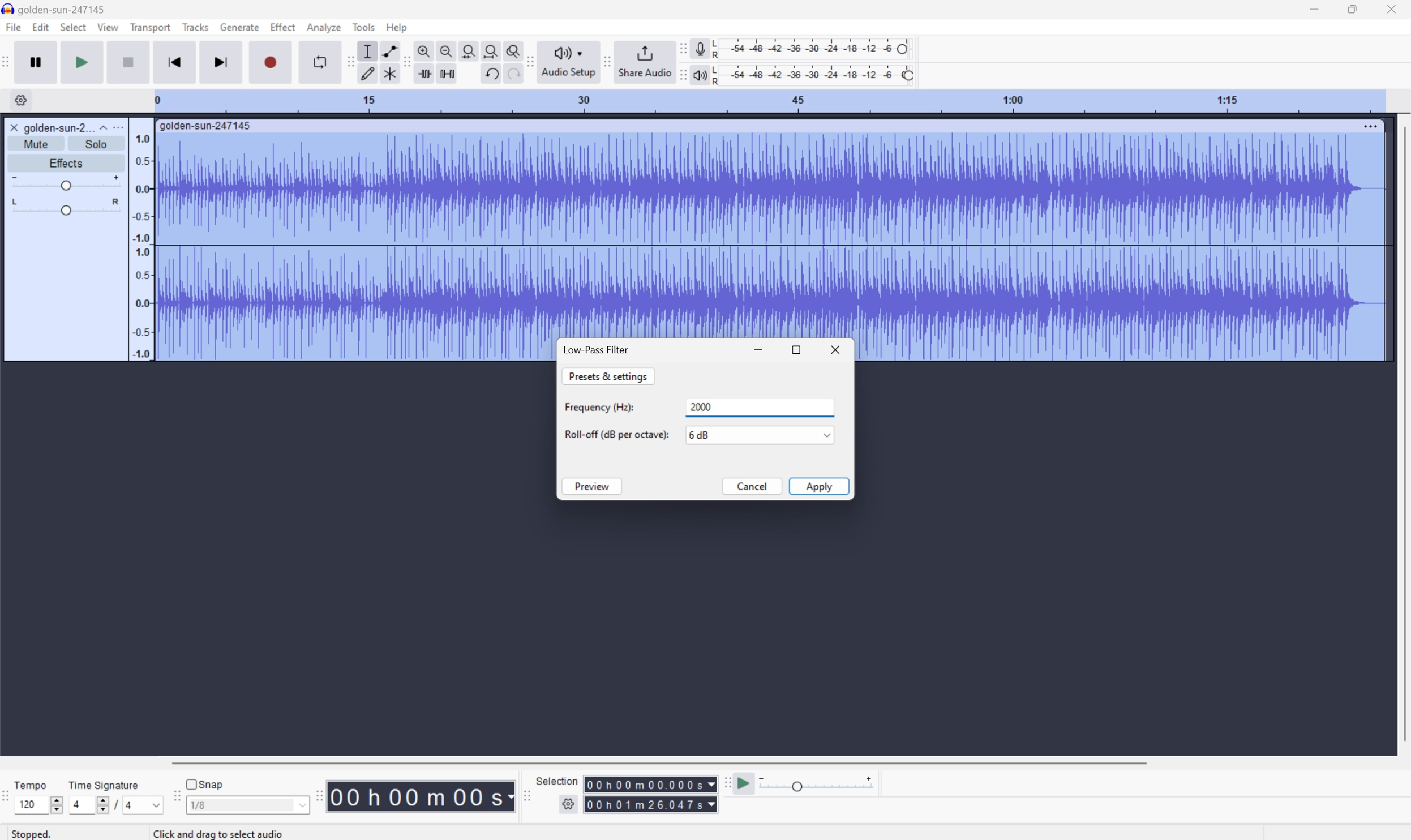 The image size is (1411, 840). What do you see at coordinates (319, 62) in the screenshot?
I see `Enable looping` at bounding box center [319, 62].